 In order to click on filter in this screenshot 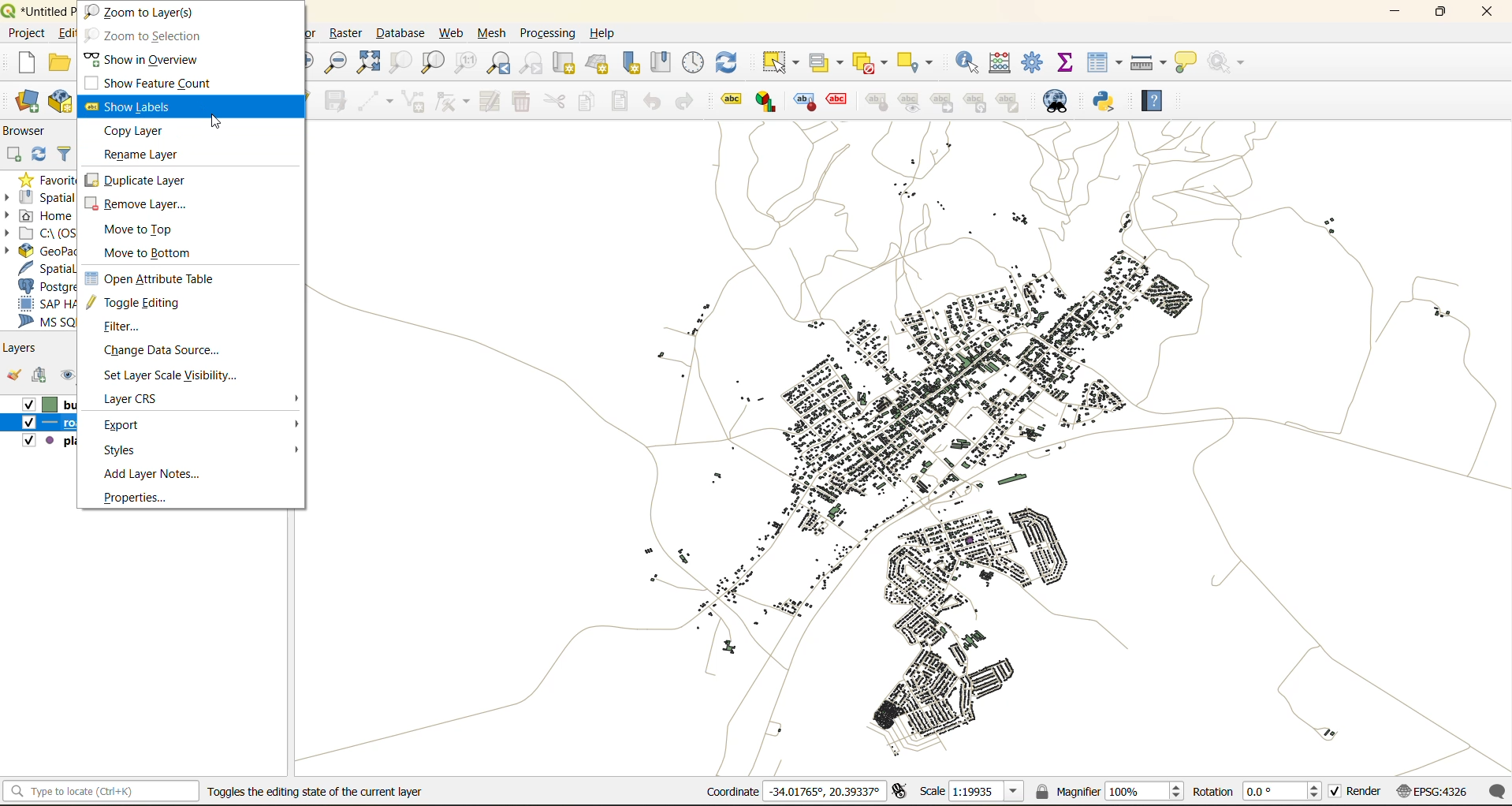, I will do `click(66, 154)`.